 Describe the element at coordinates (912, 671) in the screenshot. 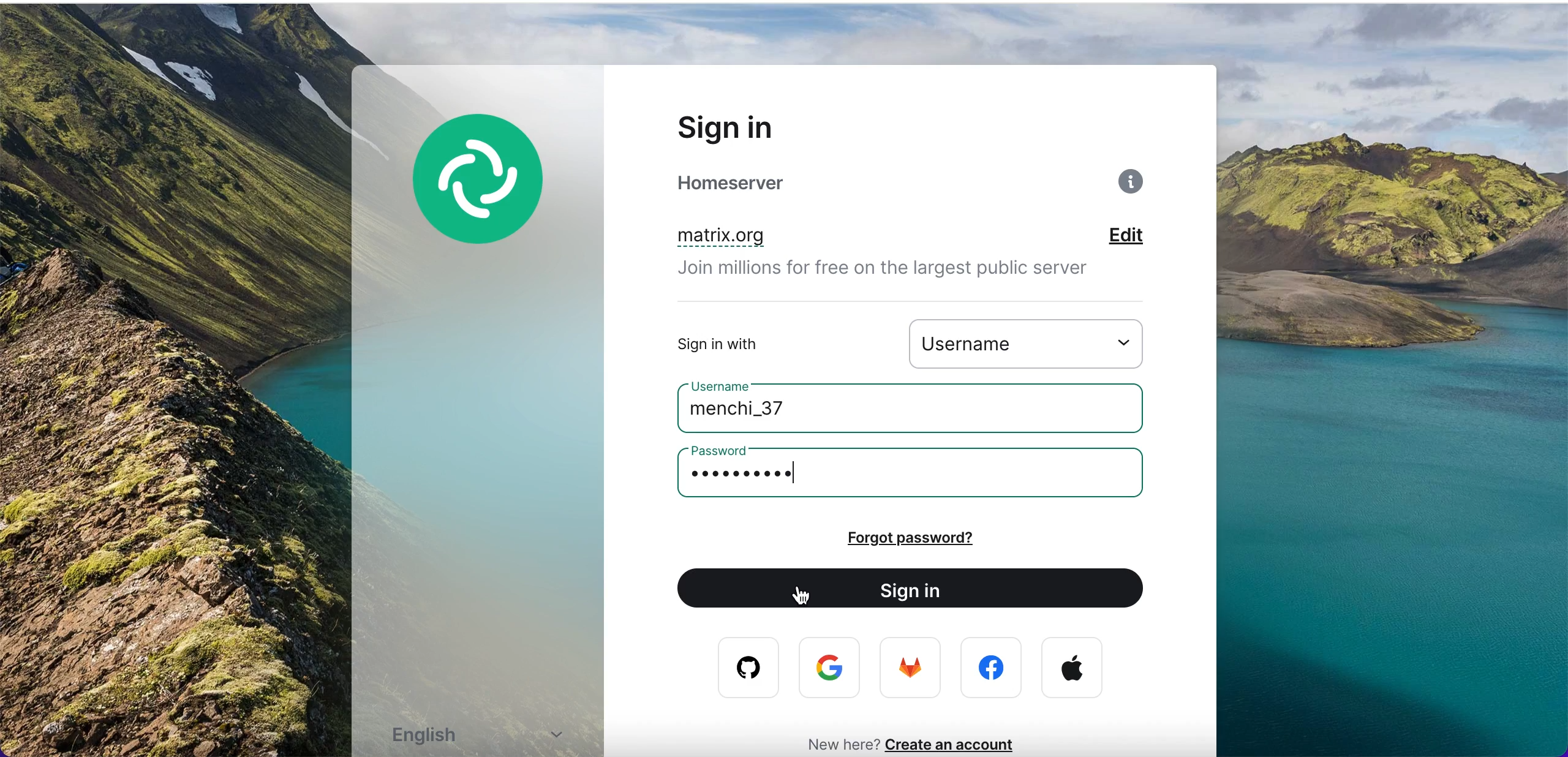

I see `firefox logo` at that location.